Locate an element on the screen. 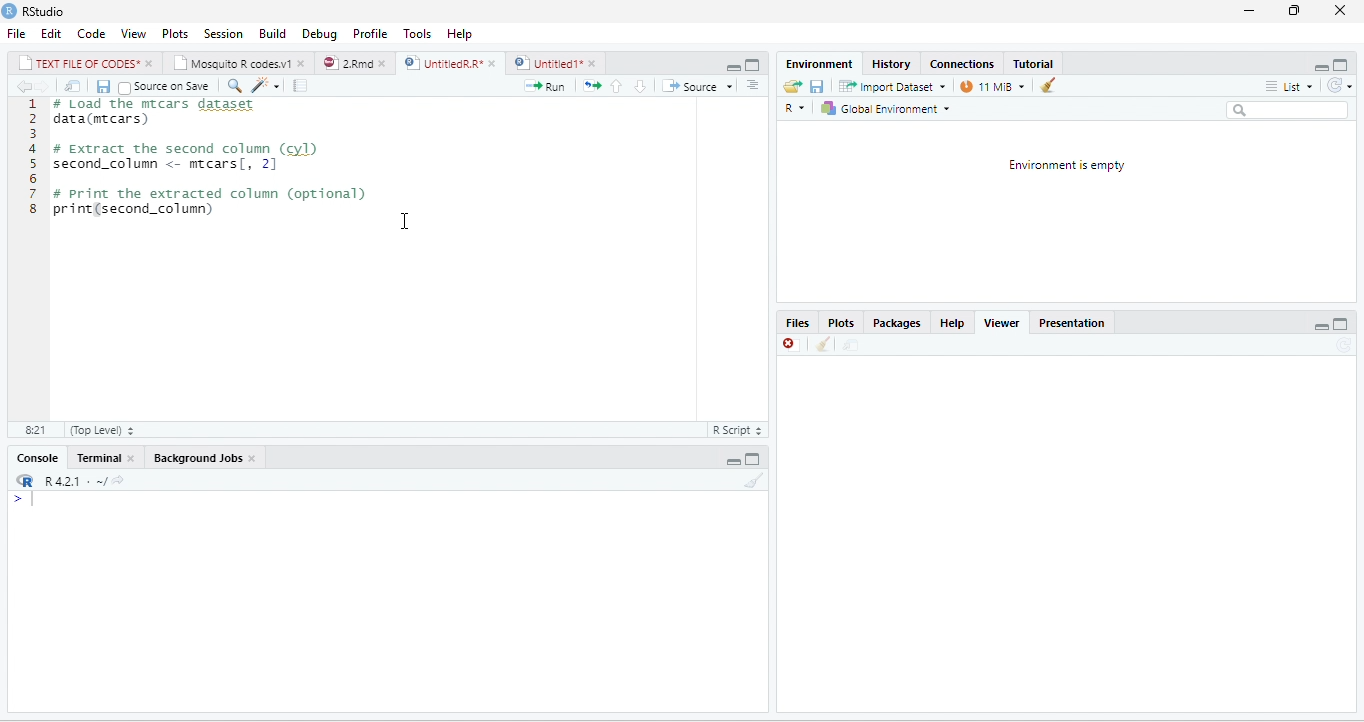 This screenshot has height=722, width=1364. Tutorial is located at coordinates (1032, 62).